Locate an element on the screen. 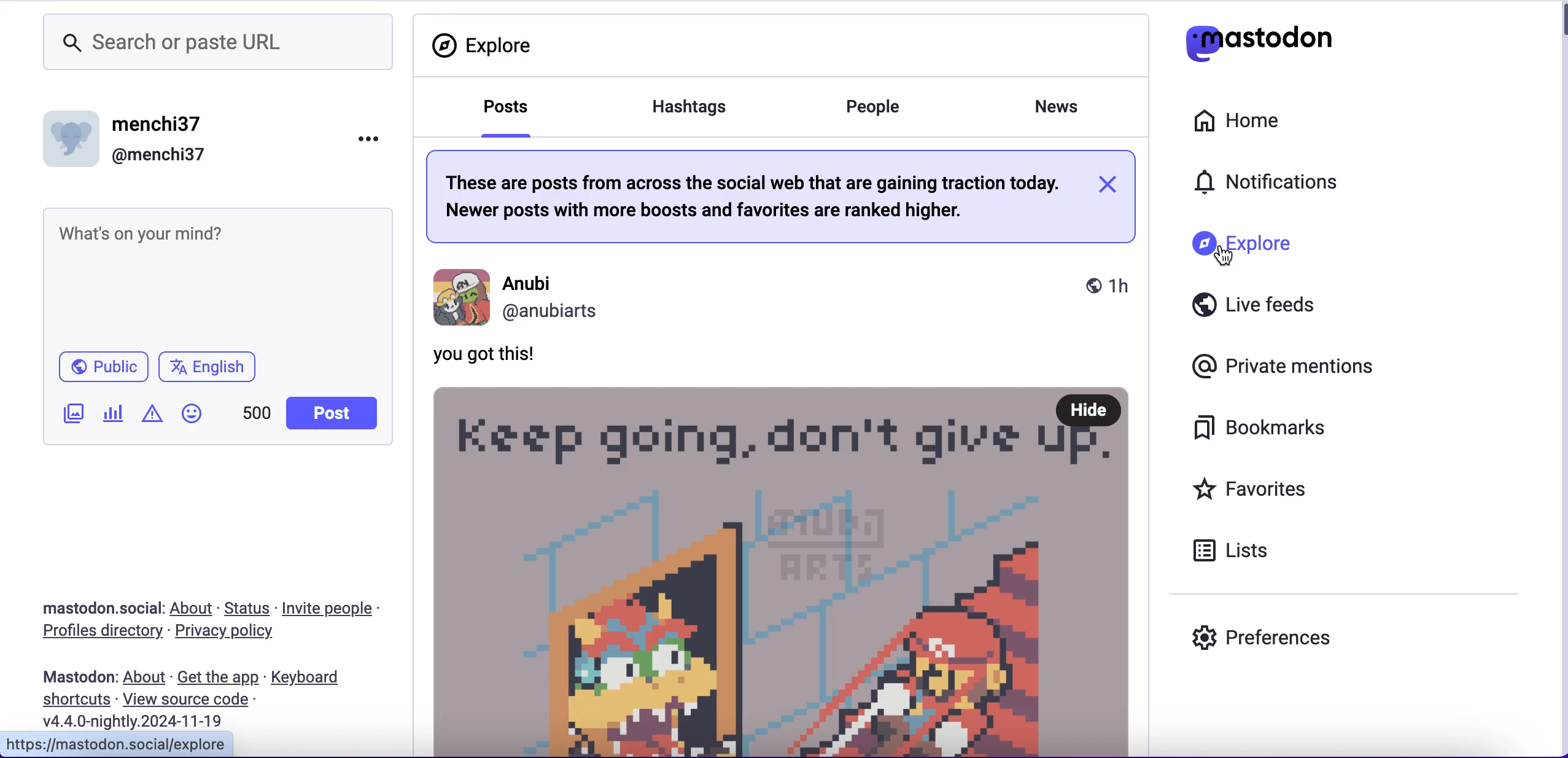 This screenshot has width=1568, height=758. preferences is located at coordinates (1259, 638).